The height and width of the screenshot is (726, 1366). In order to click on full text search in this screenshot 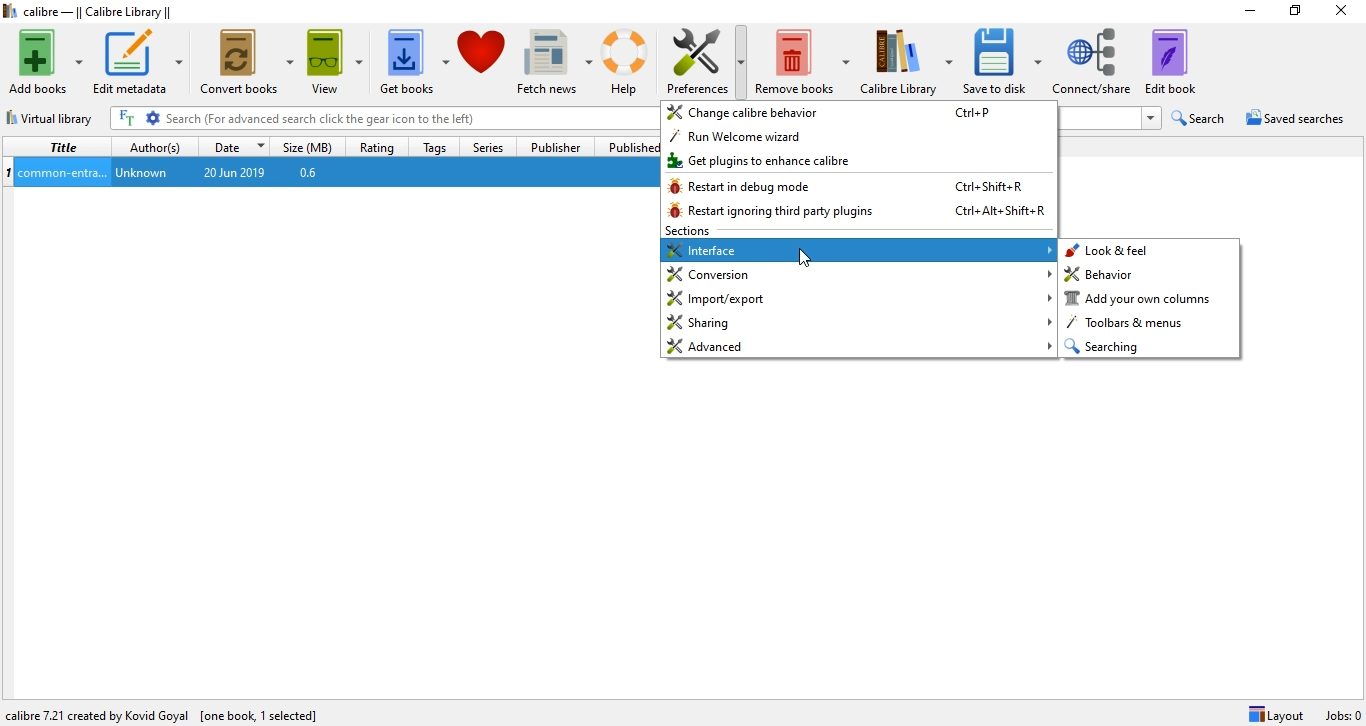, I will do `click(129, 118)`.